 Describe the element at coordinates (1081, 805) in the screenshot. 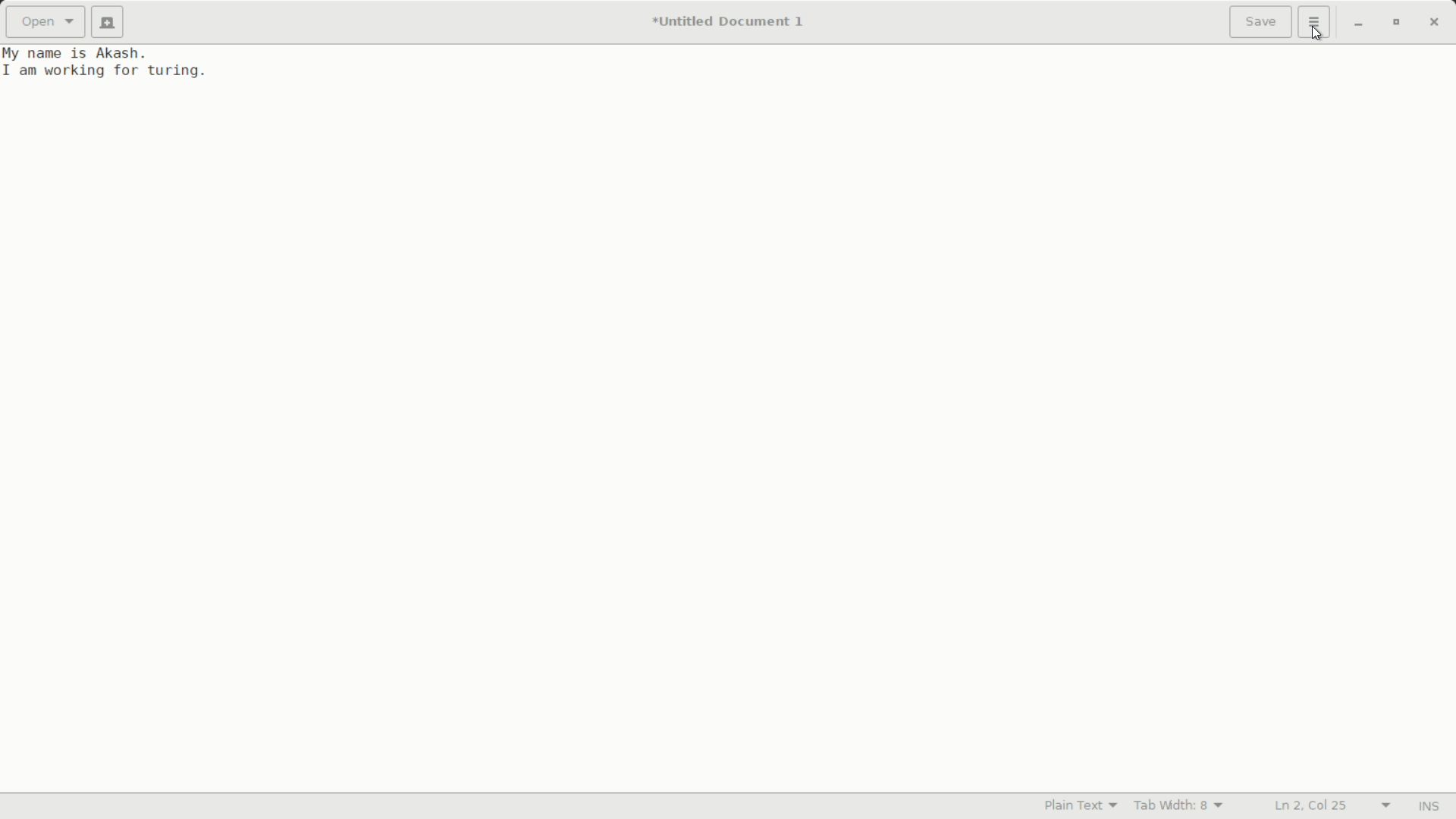

I see `text mode` at that location.